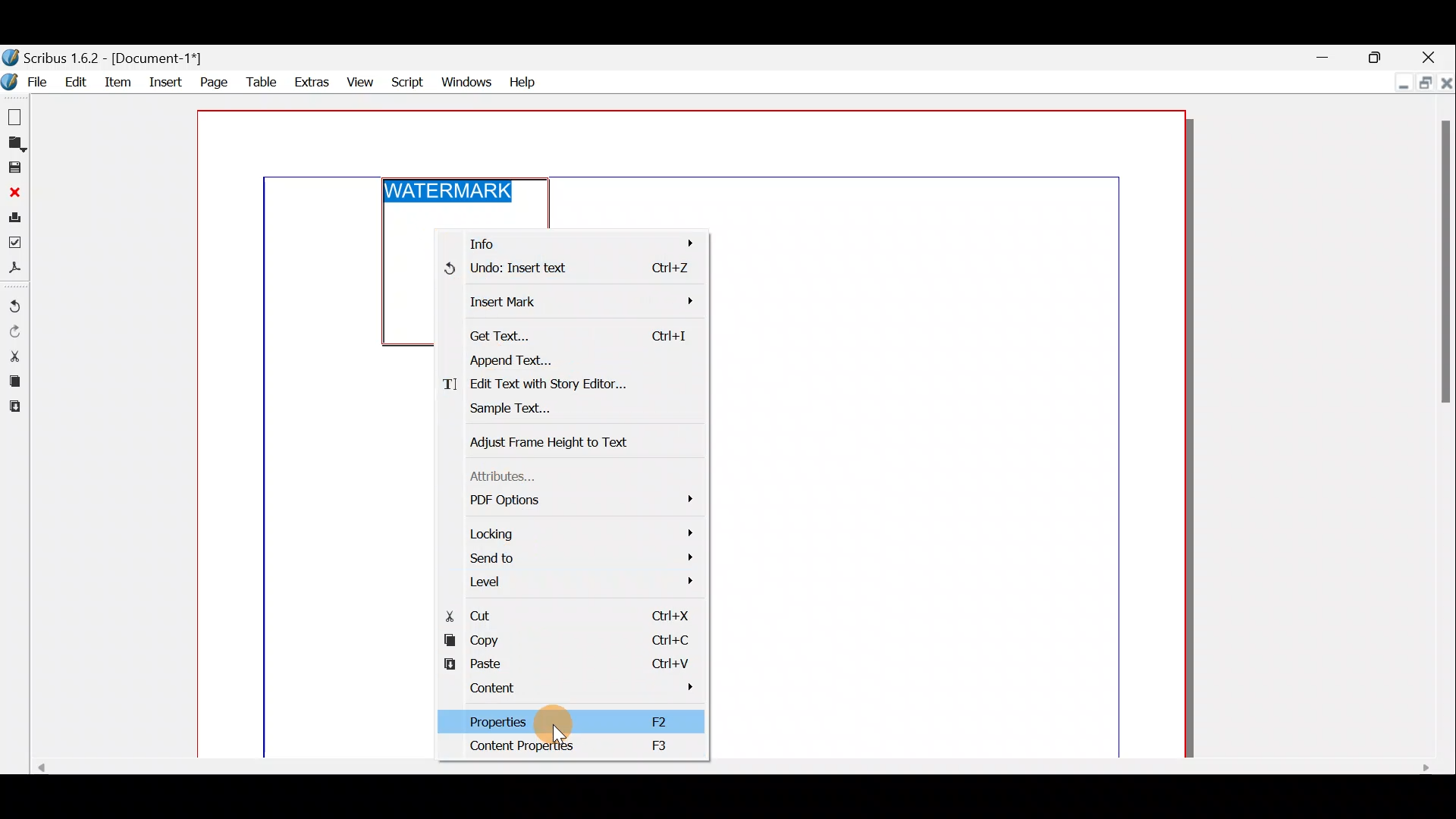  I want to click on Maximise, so click(1376, 55).